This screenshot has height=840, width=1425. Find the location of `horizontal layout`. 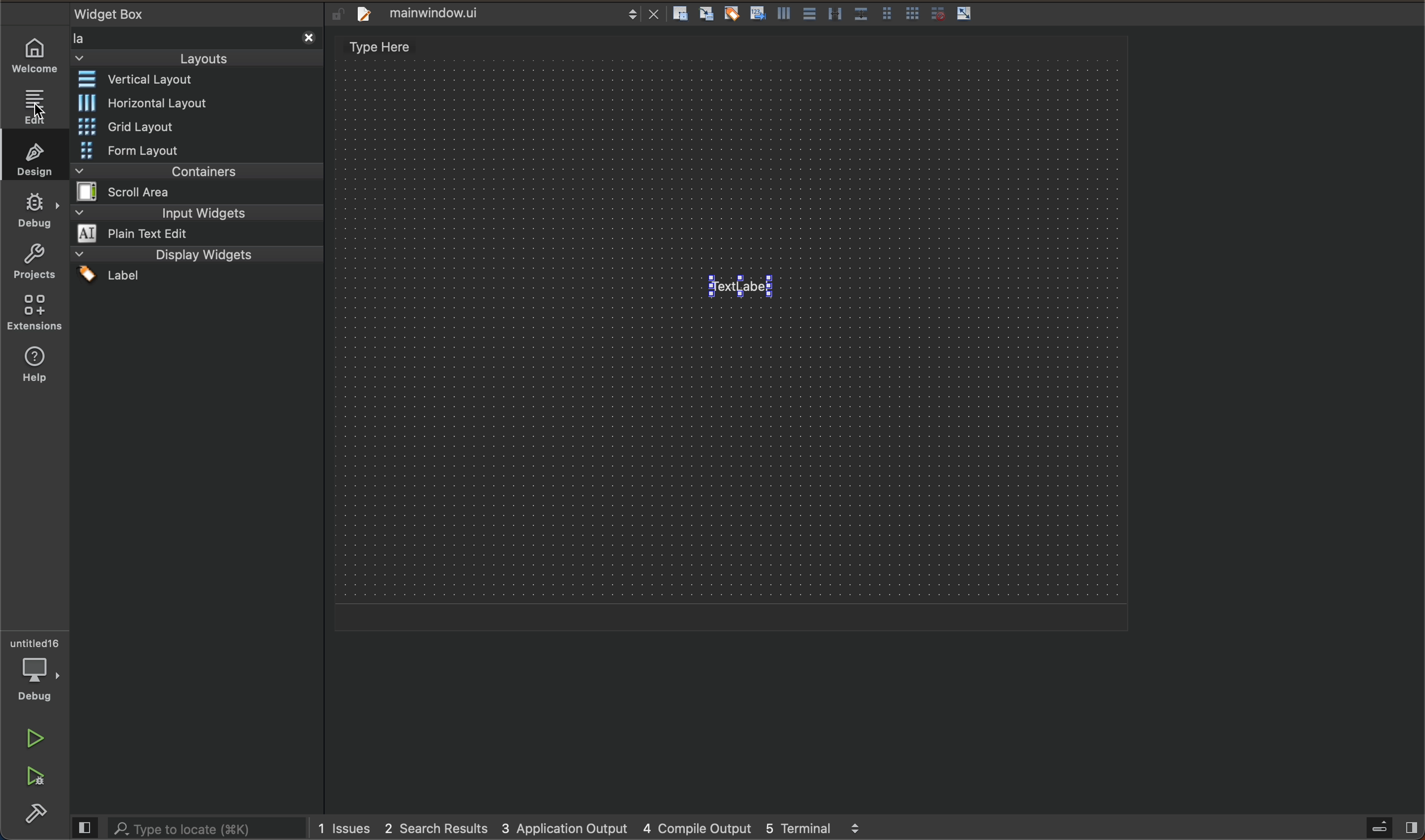

horizontal layout is located at coordinates (783, 12).